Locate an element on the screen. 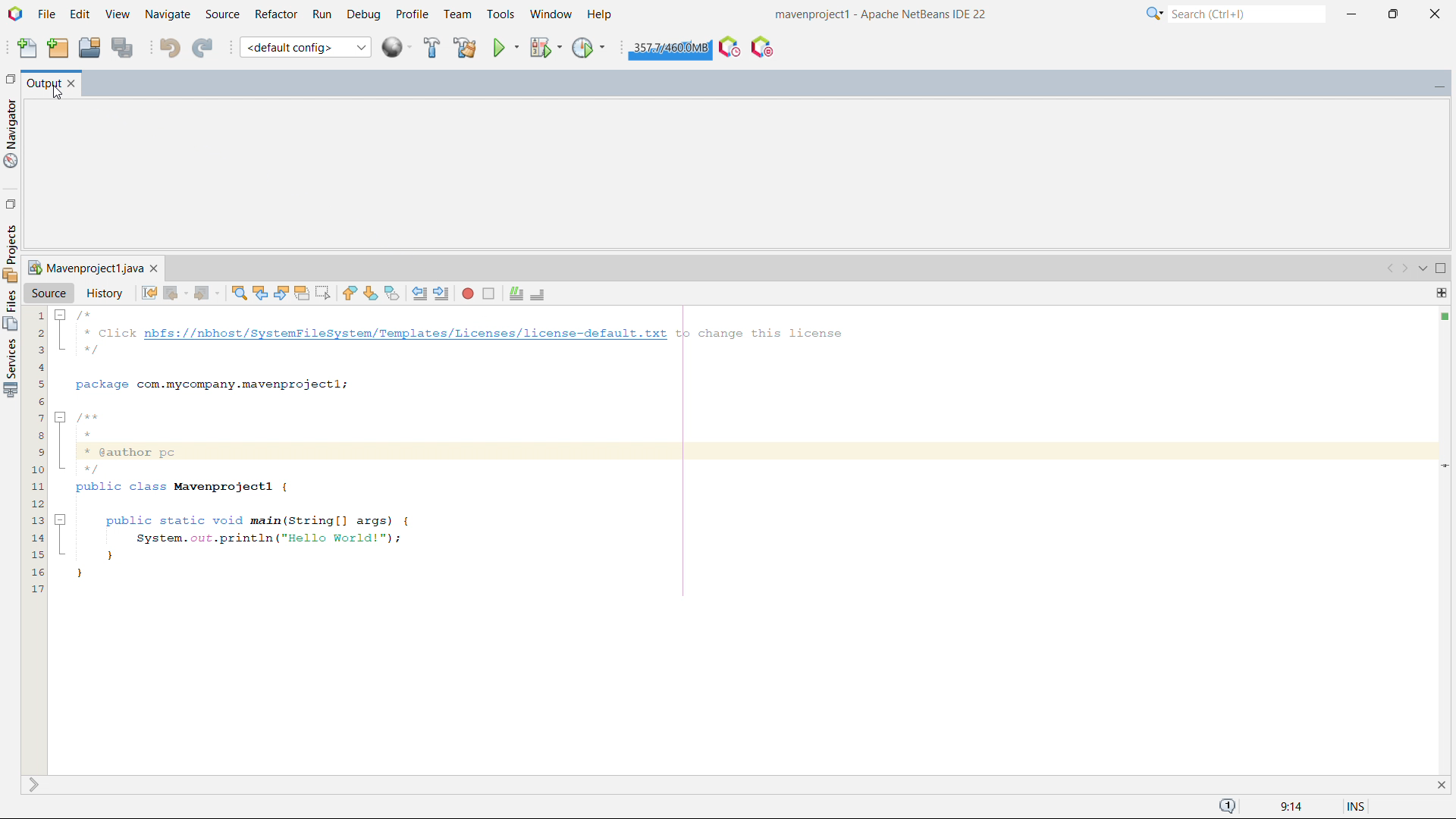 The image size is (1456, 819). previous bookmark is located at coordinates (349, 293).